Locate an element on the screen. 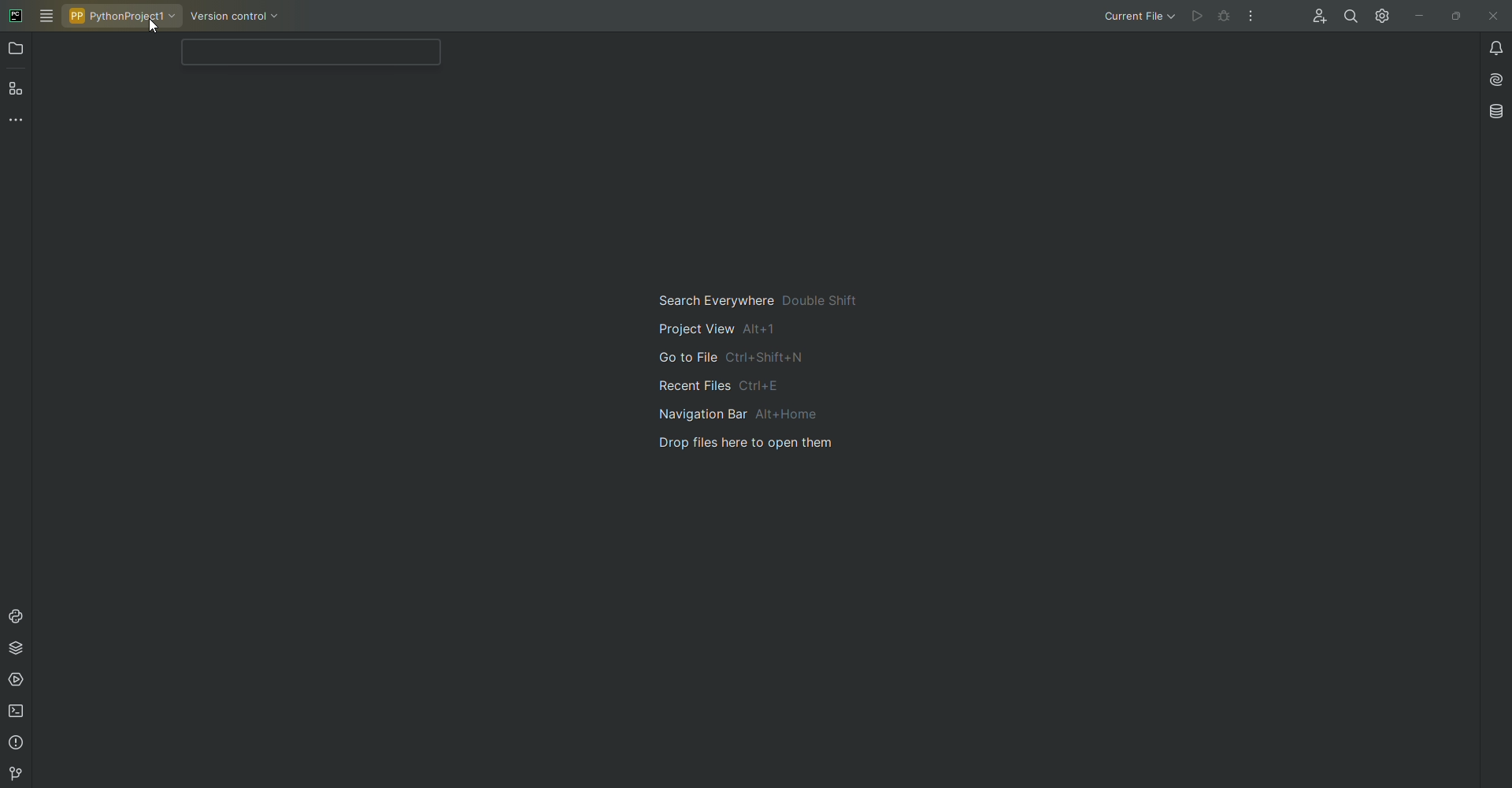  Version Control is located at coordinates (13, 774).